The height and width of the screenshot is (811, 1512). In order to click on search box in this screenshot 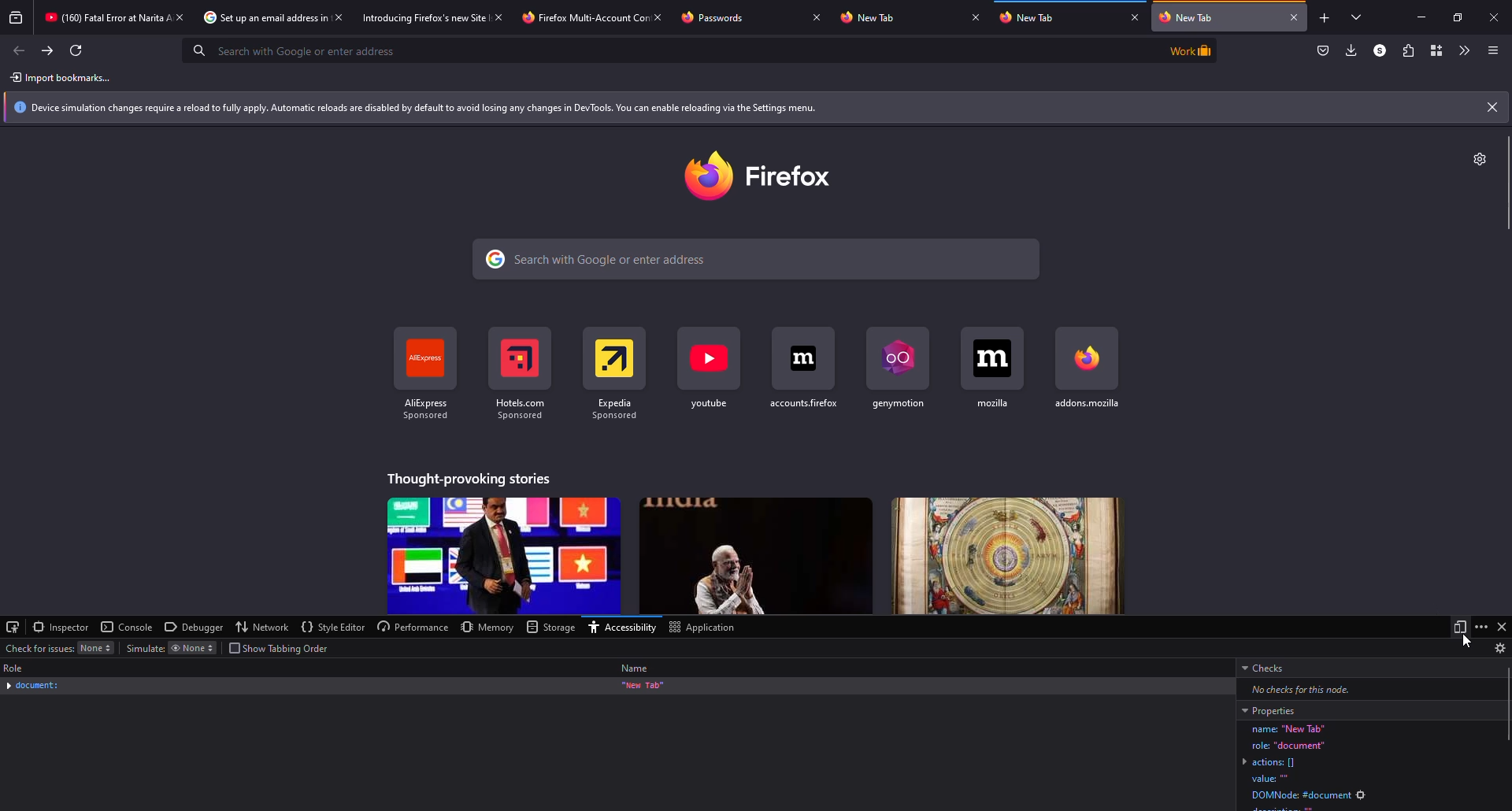, I will do `click(666, 50)`.